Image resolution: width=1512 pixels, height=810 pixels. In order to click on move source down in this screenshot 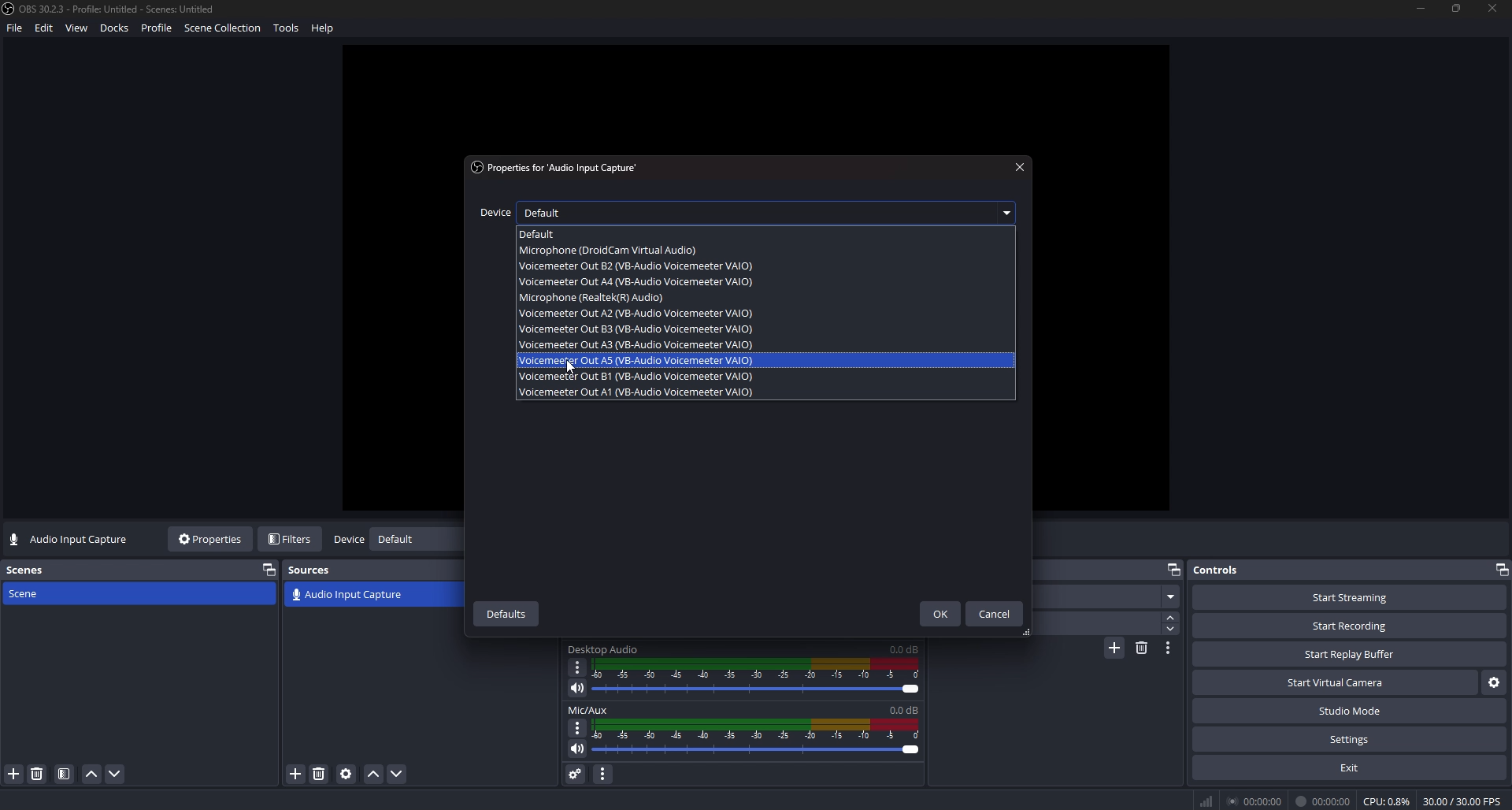, I will do `click(395, 775)`.